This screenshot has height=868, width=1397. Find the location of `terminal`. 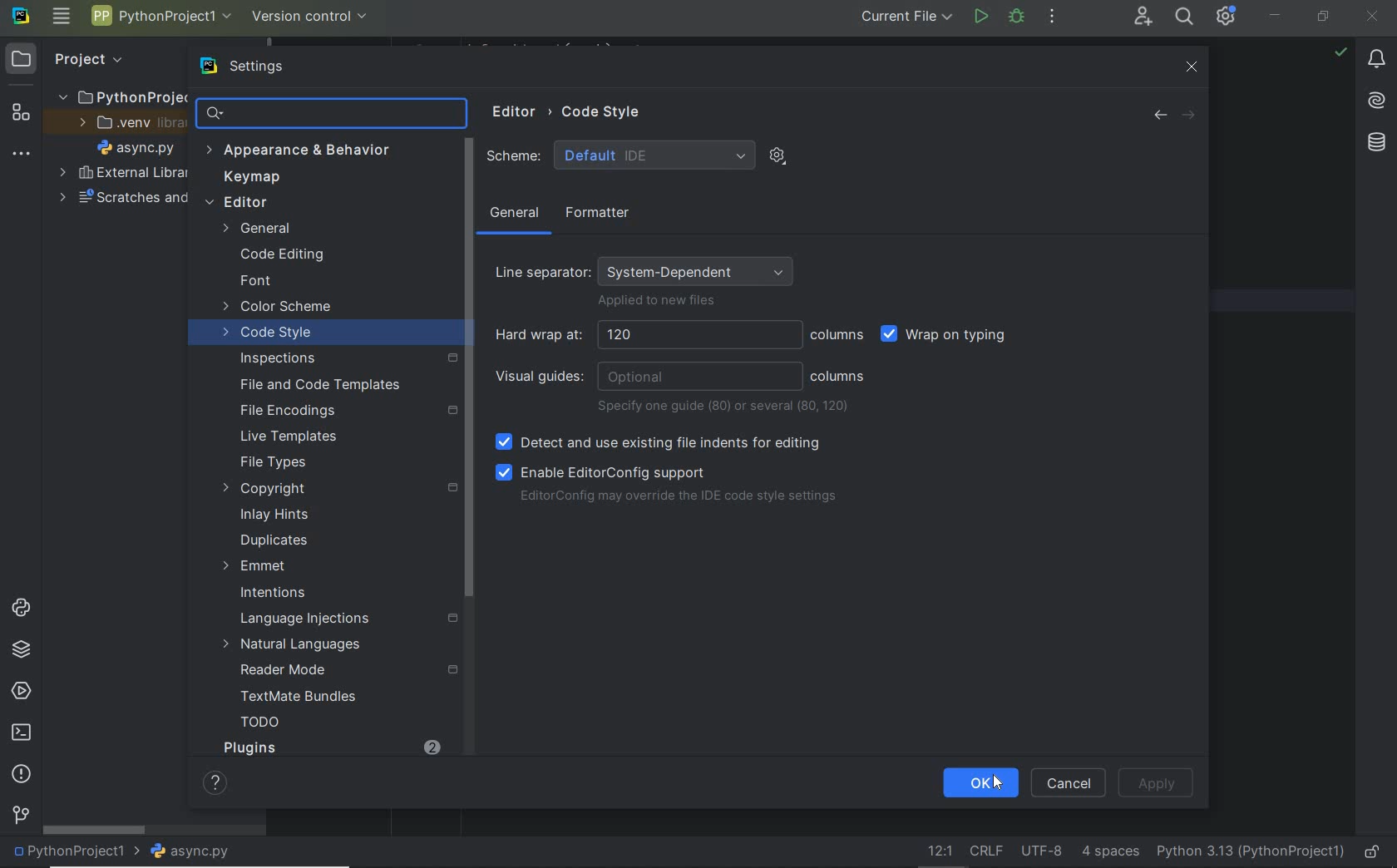

terminal is located at coordinates (23, 733).